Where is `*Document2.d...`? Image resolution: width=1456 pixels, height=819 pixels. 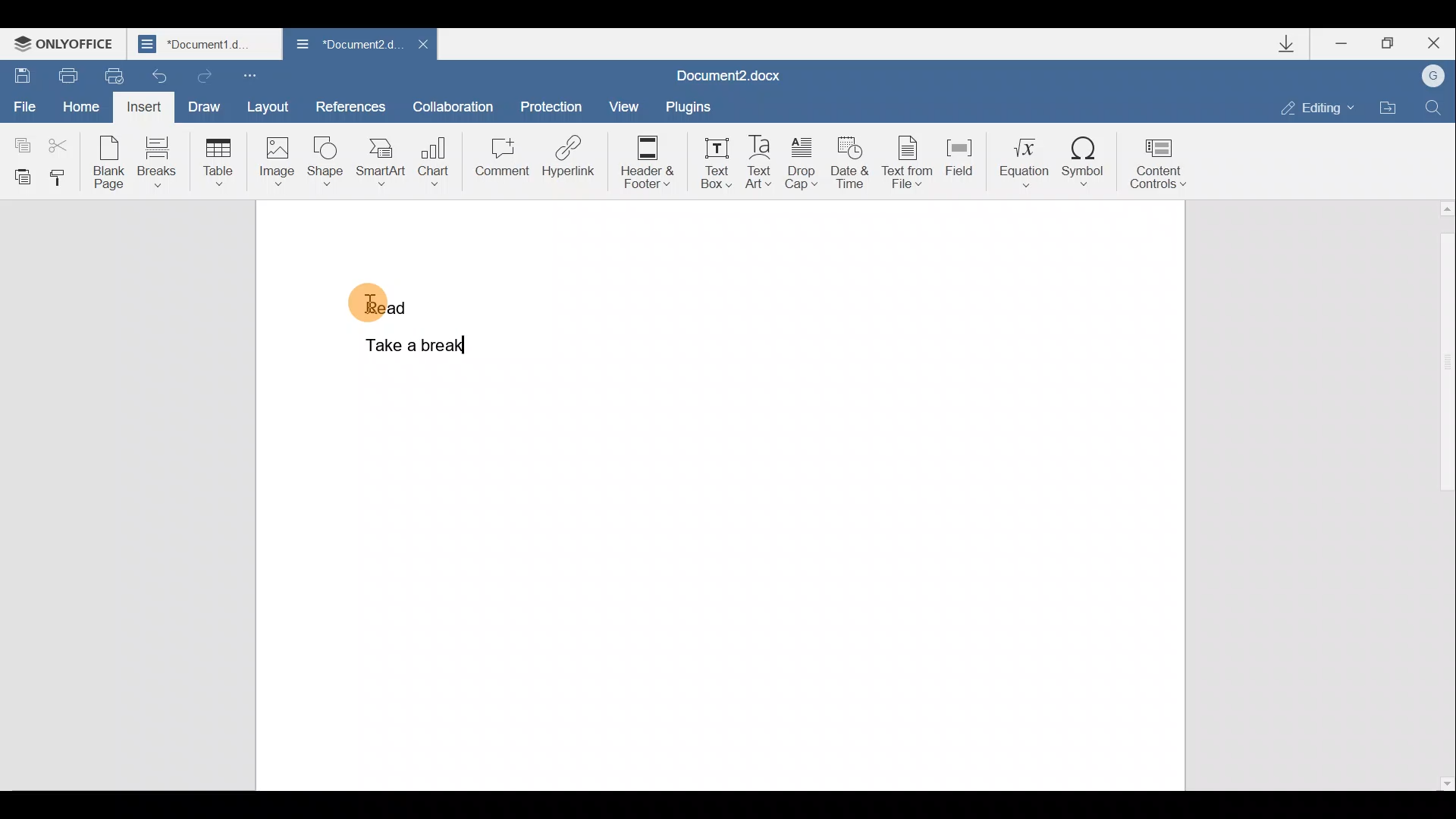
*Document2.d... is located at coordinates (345, 45).